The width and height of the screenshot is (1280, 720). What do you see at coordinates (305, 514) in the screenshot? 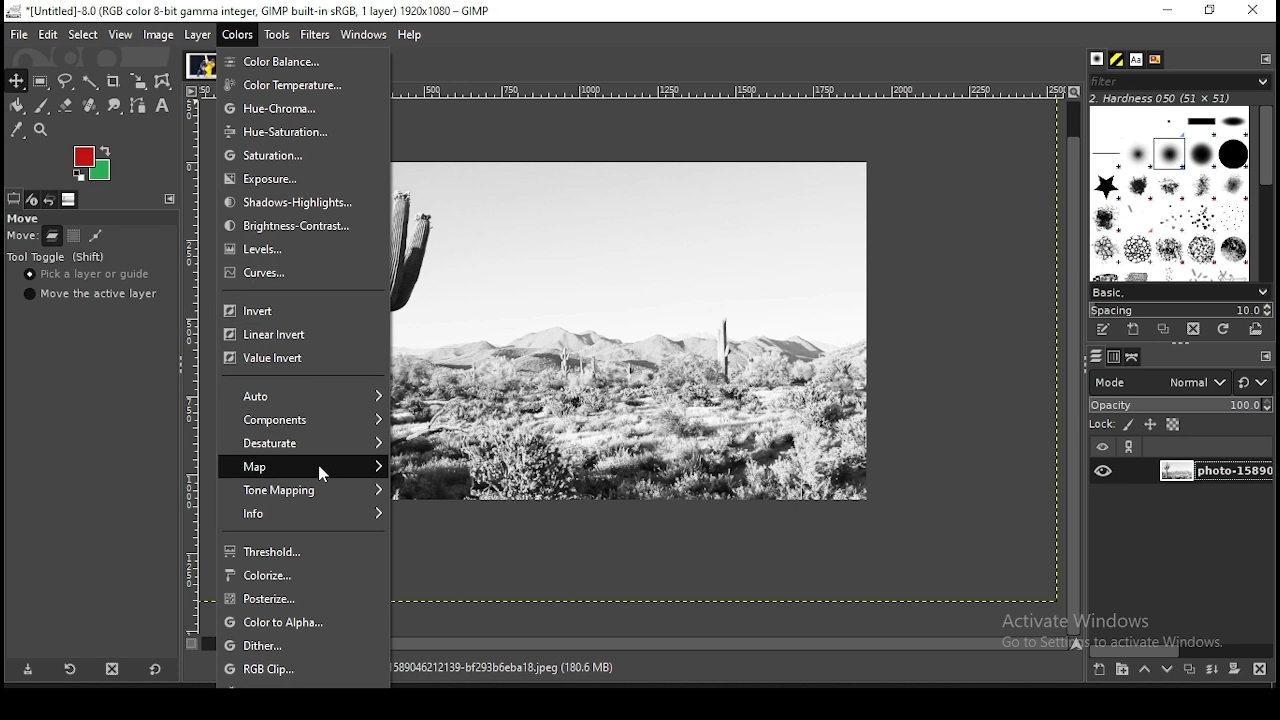
I see `info` at bounding box center [305, 514].